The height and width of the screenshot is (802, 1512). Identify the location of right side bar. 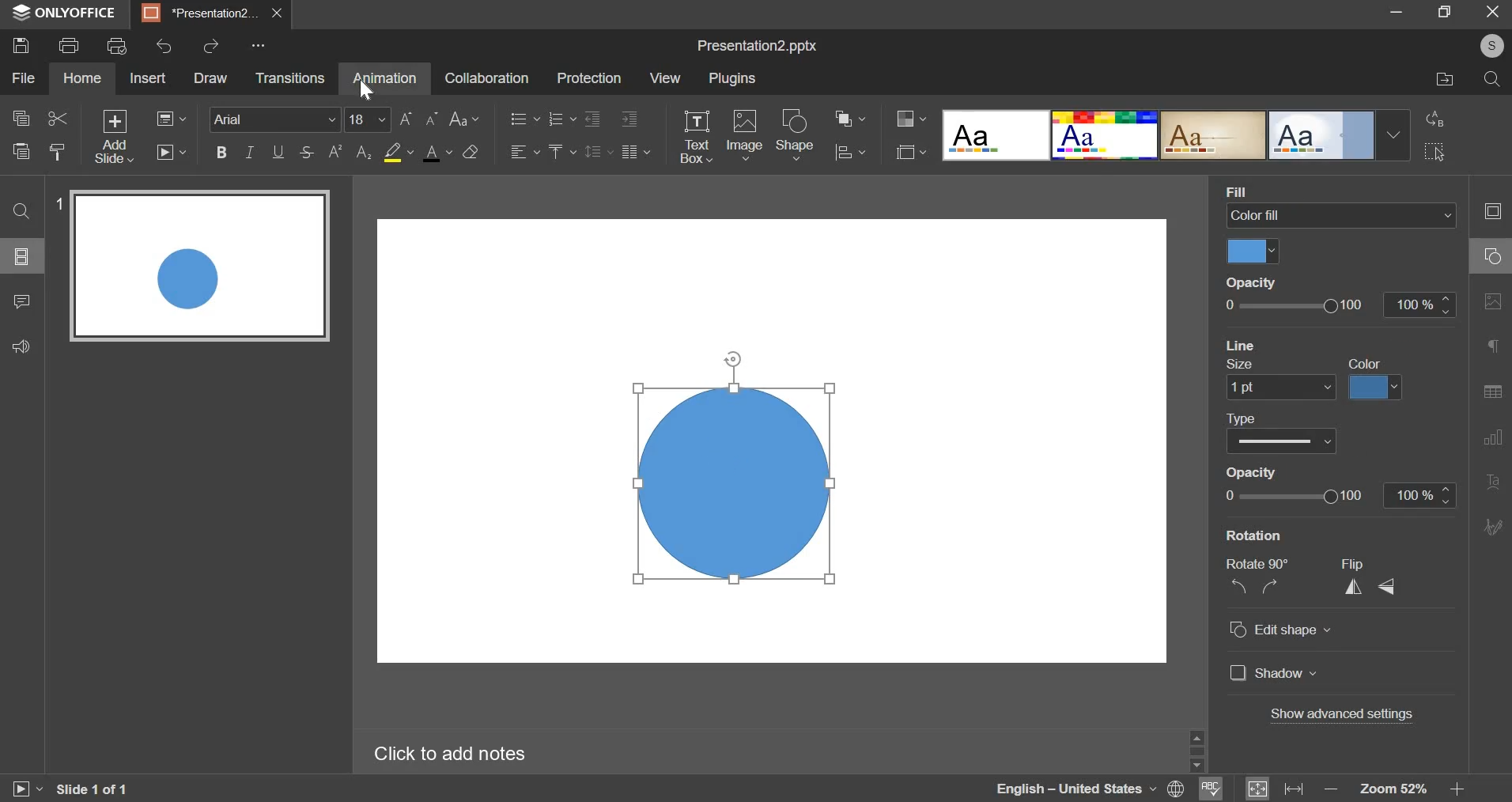
(1489, 369).